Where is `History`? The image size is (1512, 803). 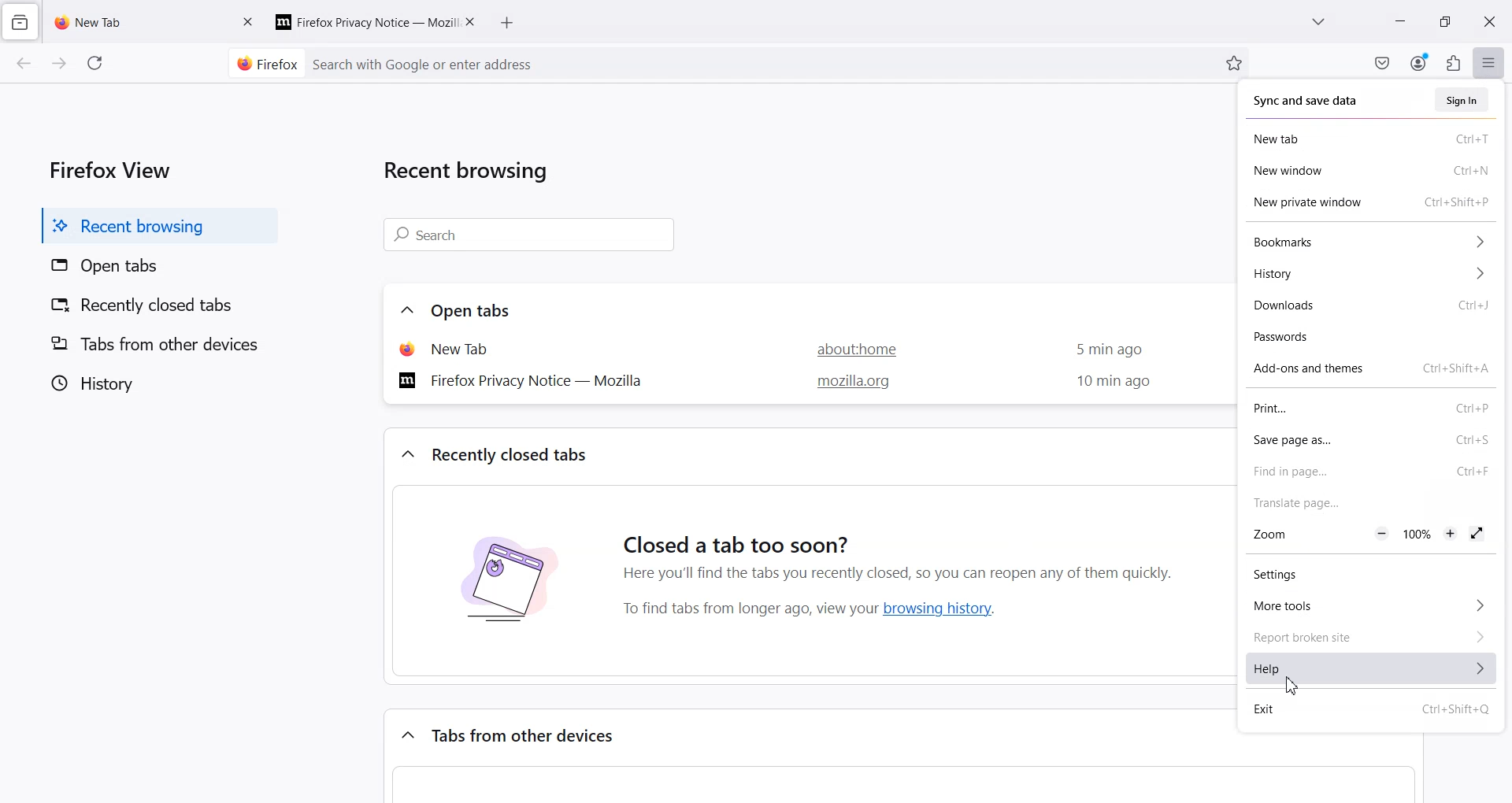
History is located at coordinates (1369, 276).